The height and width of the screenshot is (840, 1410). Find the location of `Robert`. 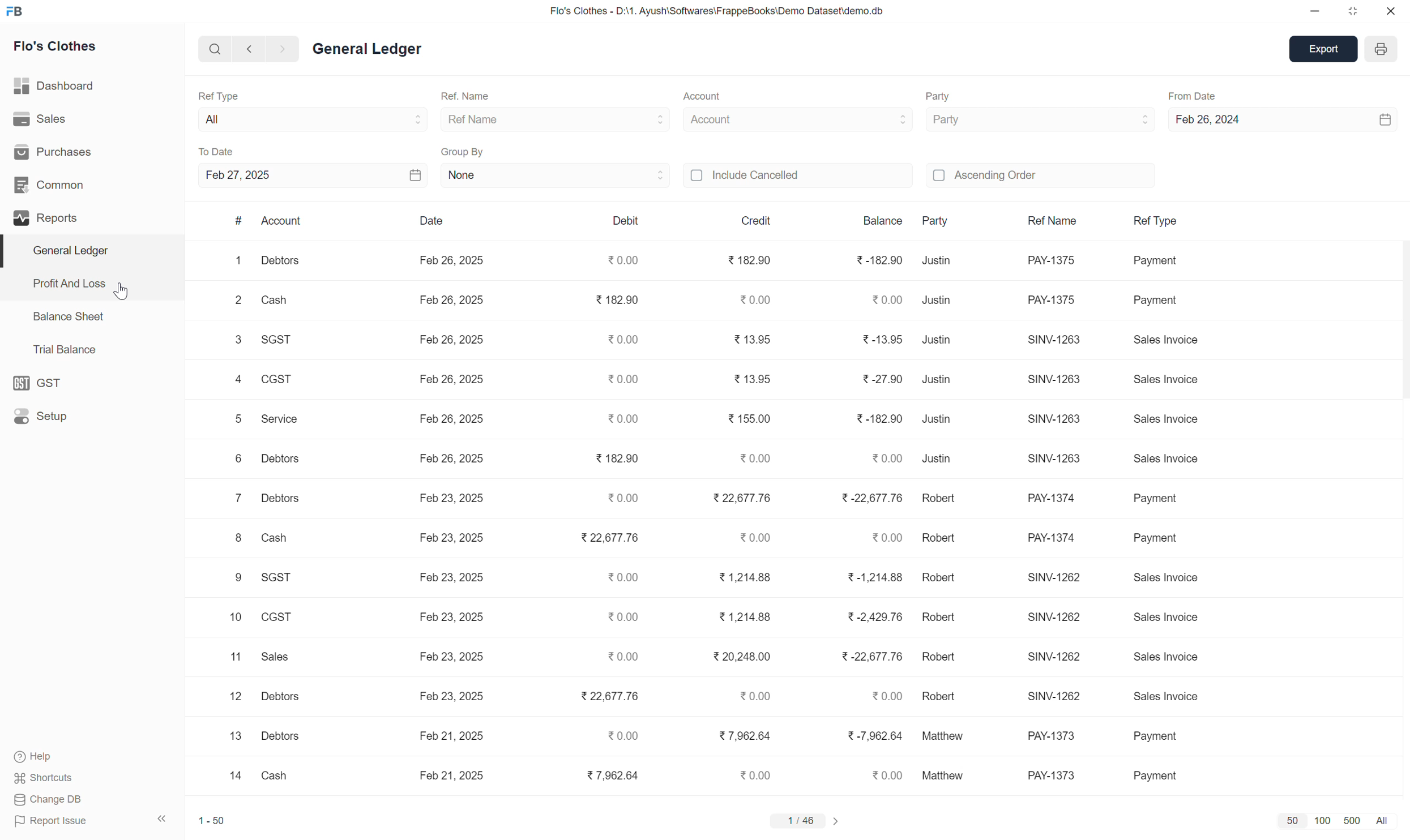

Robert is located at coordinates (941, 500).